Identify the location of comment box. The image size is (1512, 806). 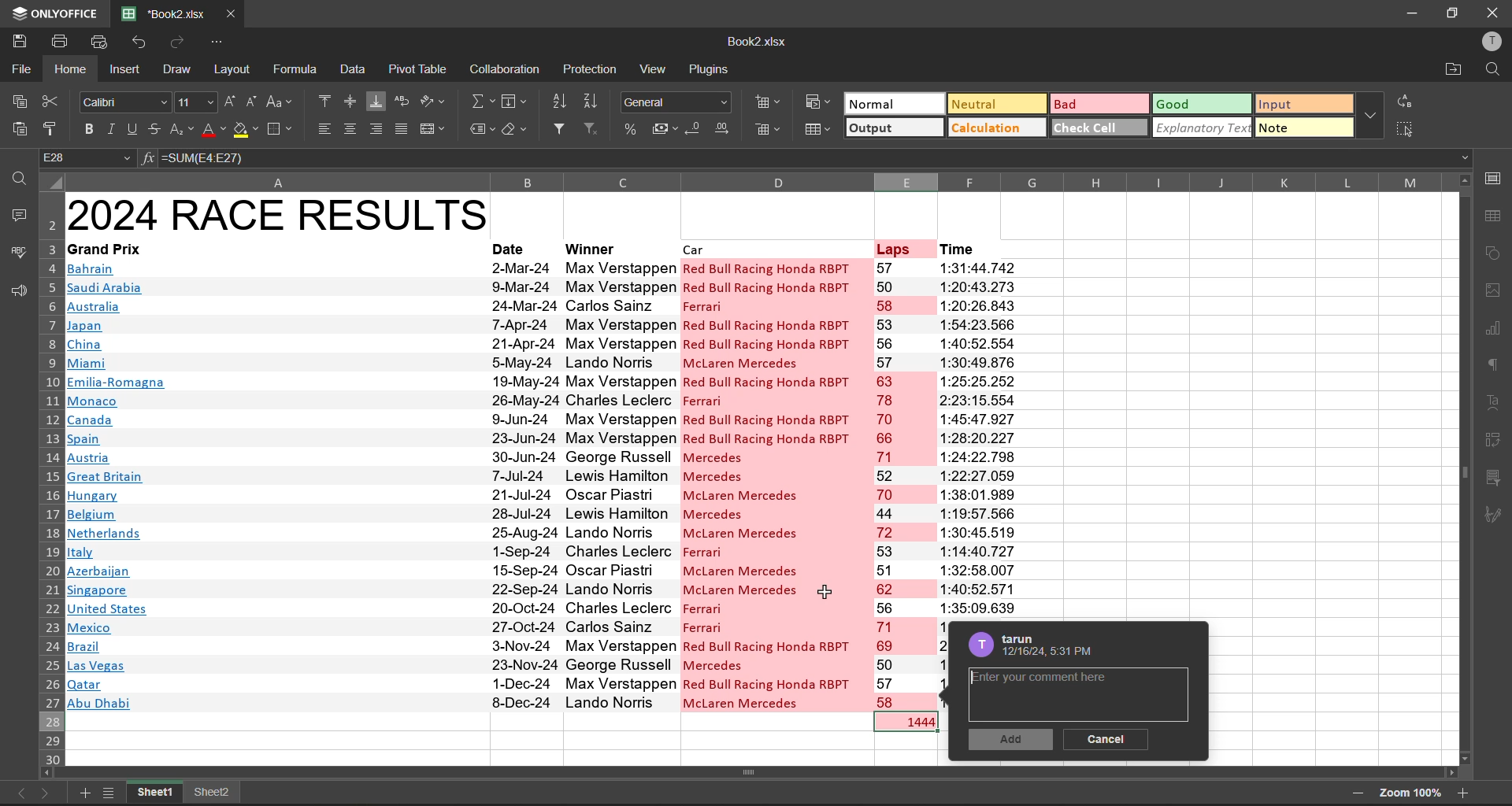
(1073, 693).